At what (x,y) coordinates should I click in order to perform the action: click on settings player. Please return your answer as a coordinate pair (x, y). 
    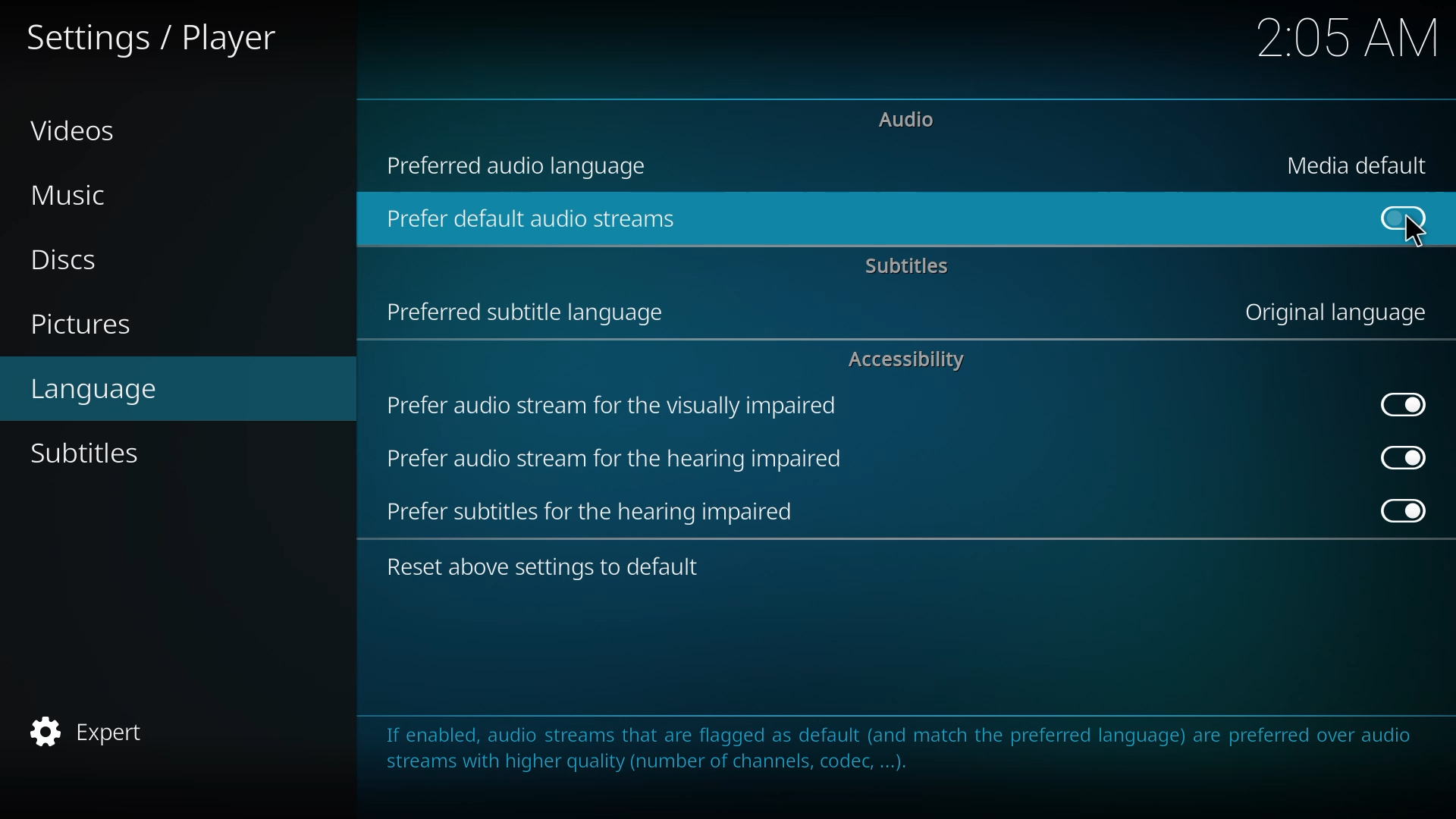
    Looking at the image, I should click on (155, 37).